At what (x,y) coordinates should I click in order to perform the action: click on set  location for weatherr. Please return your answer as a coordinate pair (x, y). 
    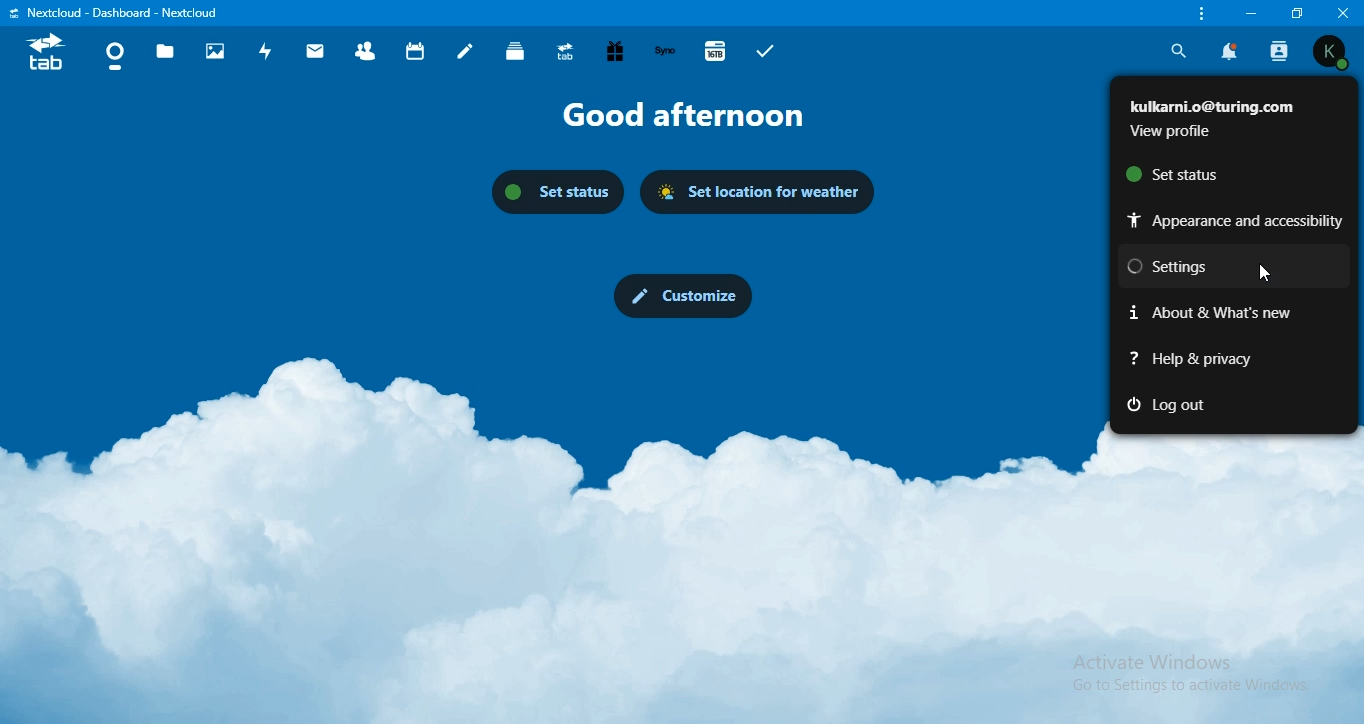
    Looking at the image, I should click on (758, 193).